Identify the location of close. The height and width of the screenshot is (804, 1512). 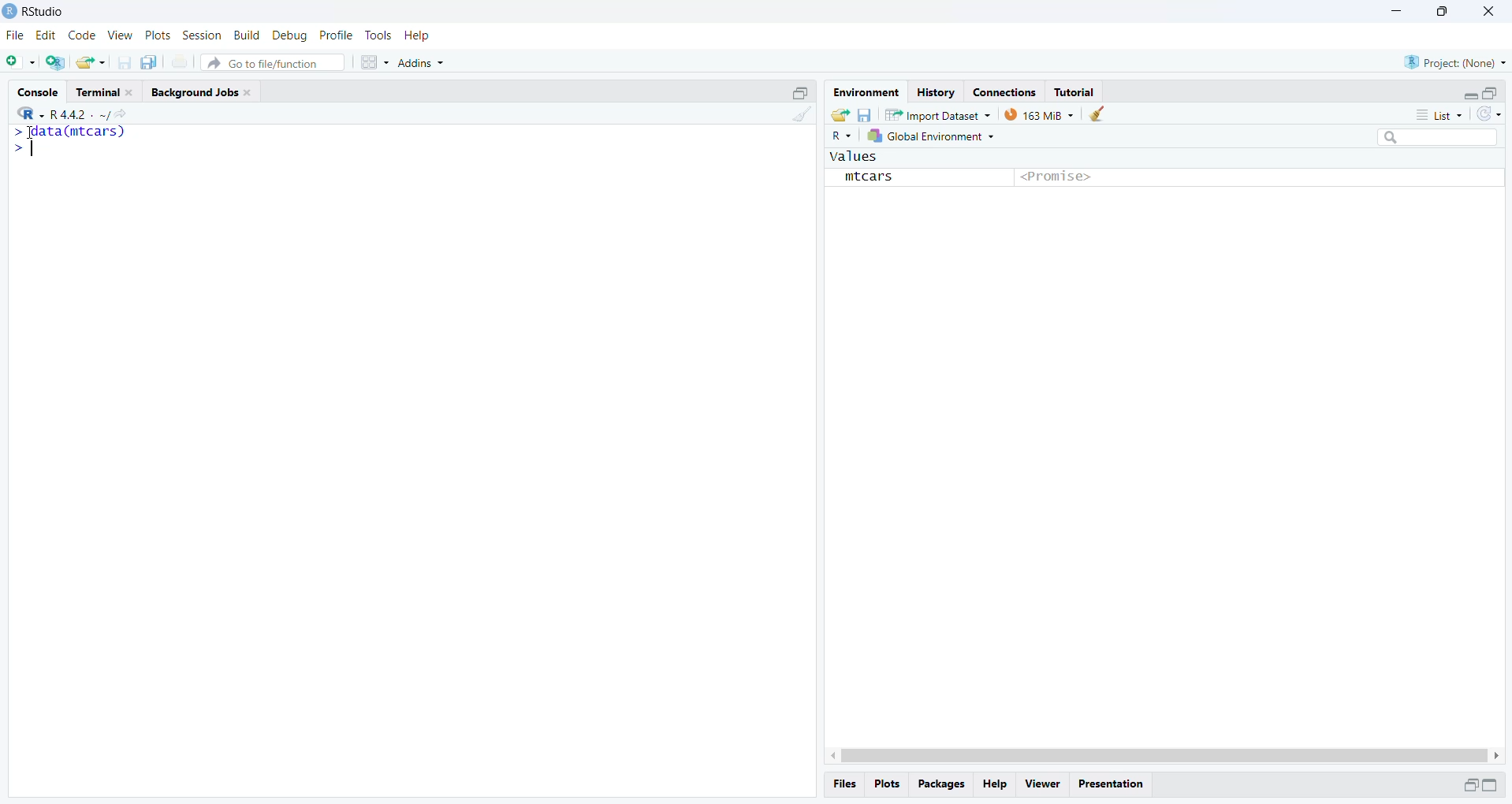
(131, 92).